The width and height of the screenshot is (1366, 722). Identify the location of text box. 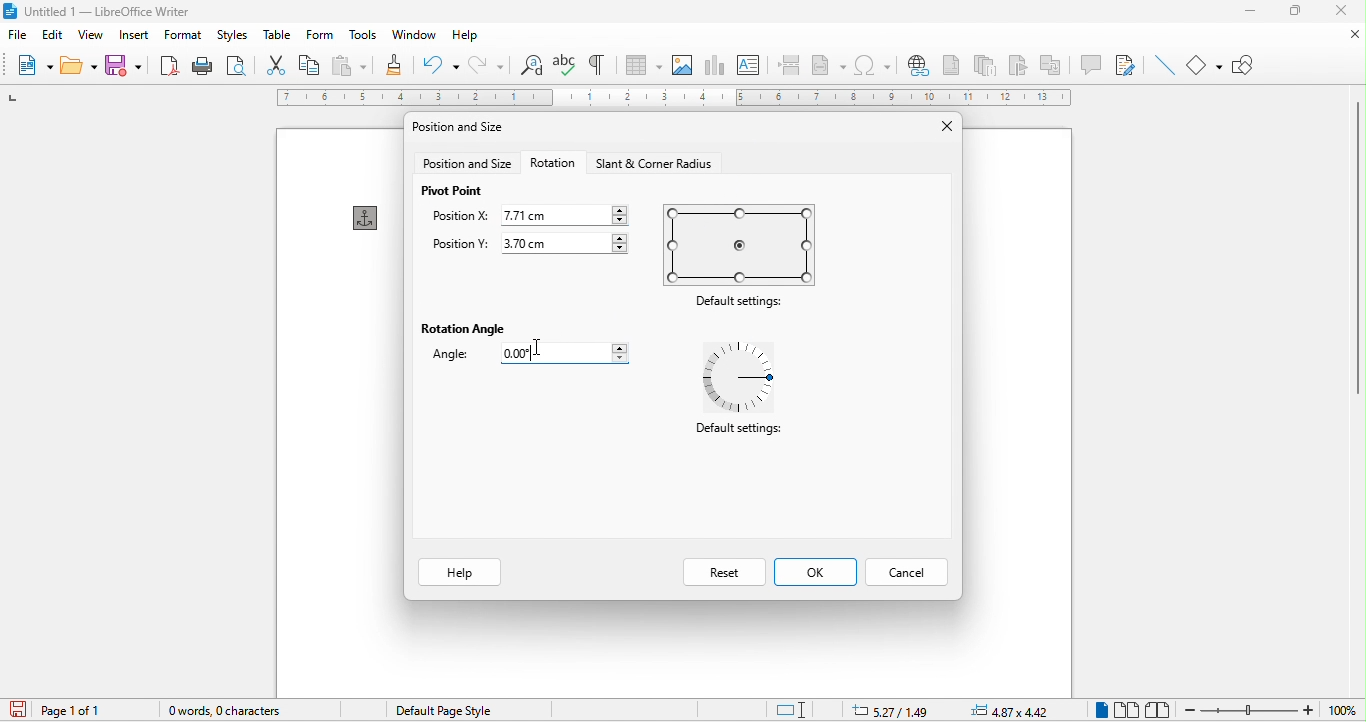
(748, 64).